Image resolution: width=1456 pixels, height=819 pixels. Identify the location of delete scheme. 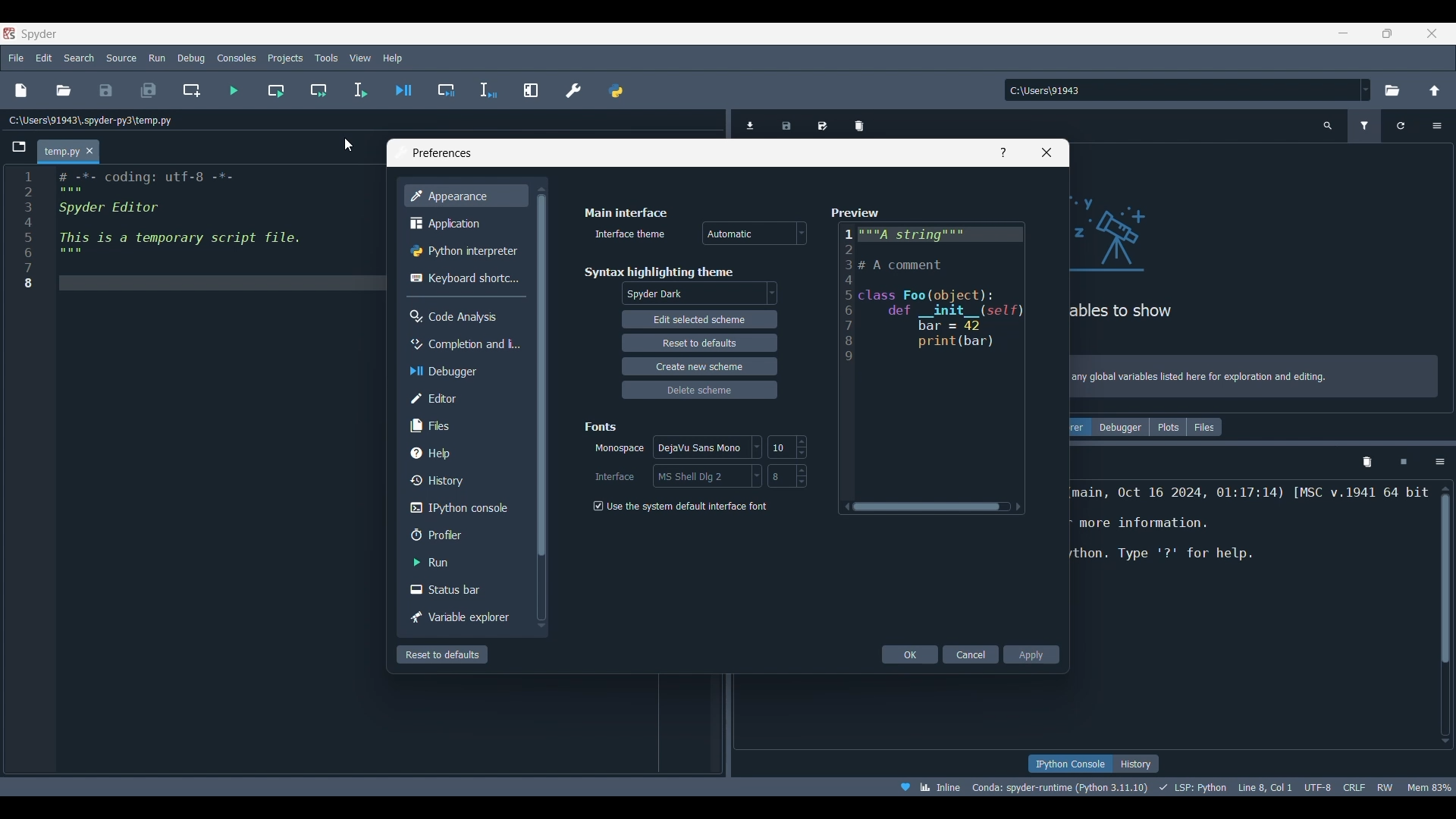
(691, 391).